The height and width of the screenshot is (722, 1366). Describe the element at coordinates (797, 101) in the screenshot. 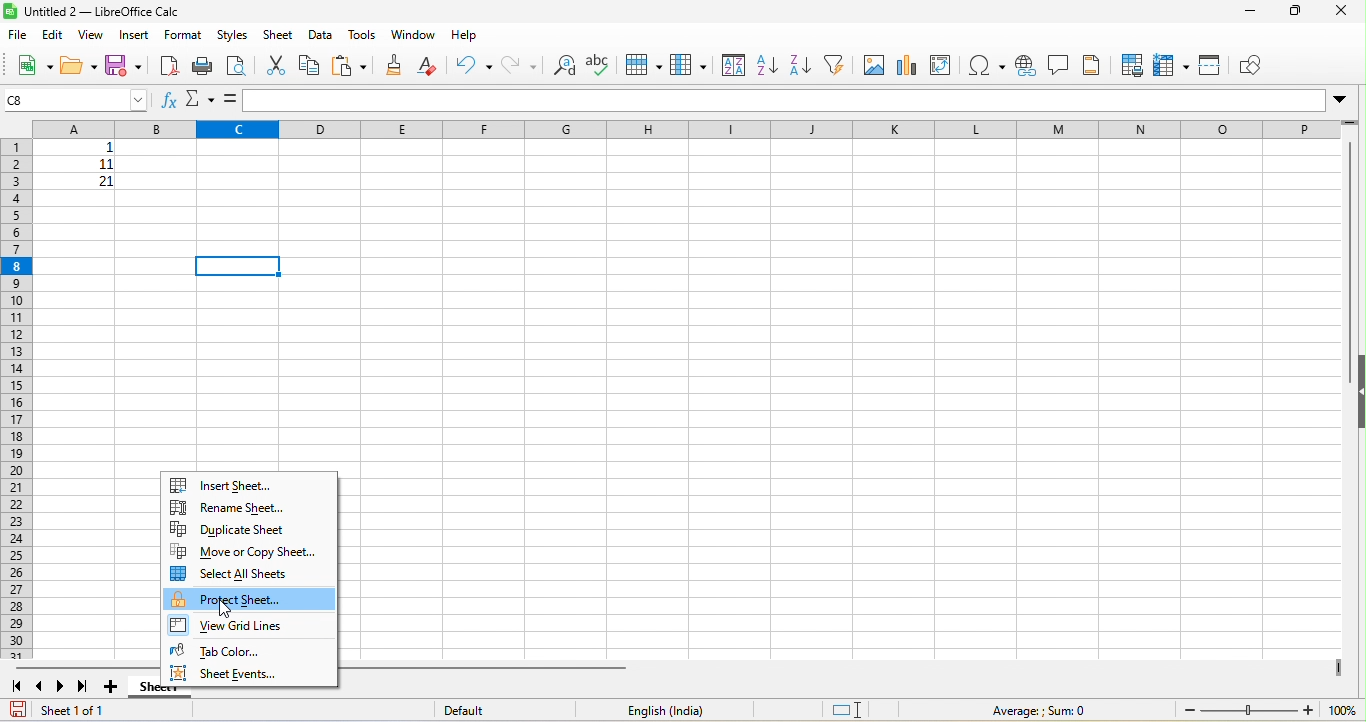

I see `formula bar` at that location.